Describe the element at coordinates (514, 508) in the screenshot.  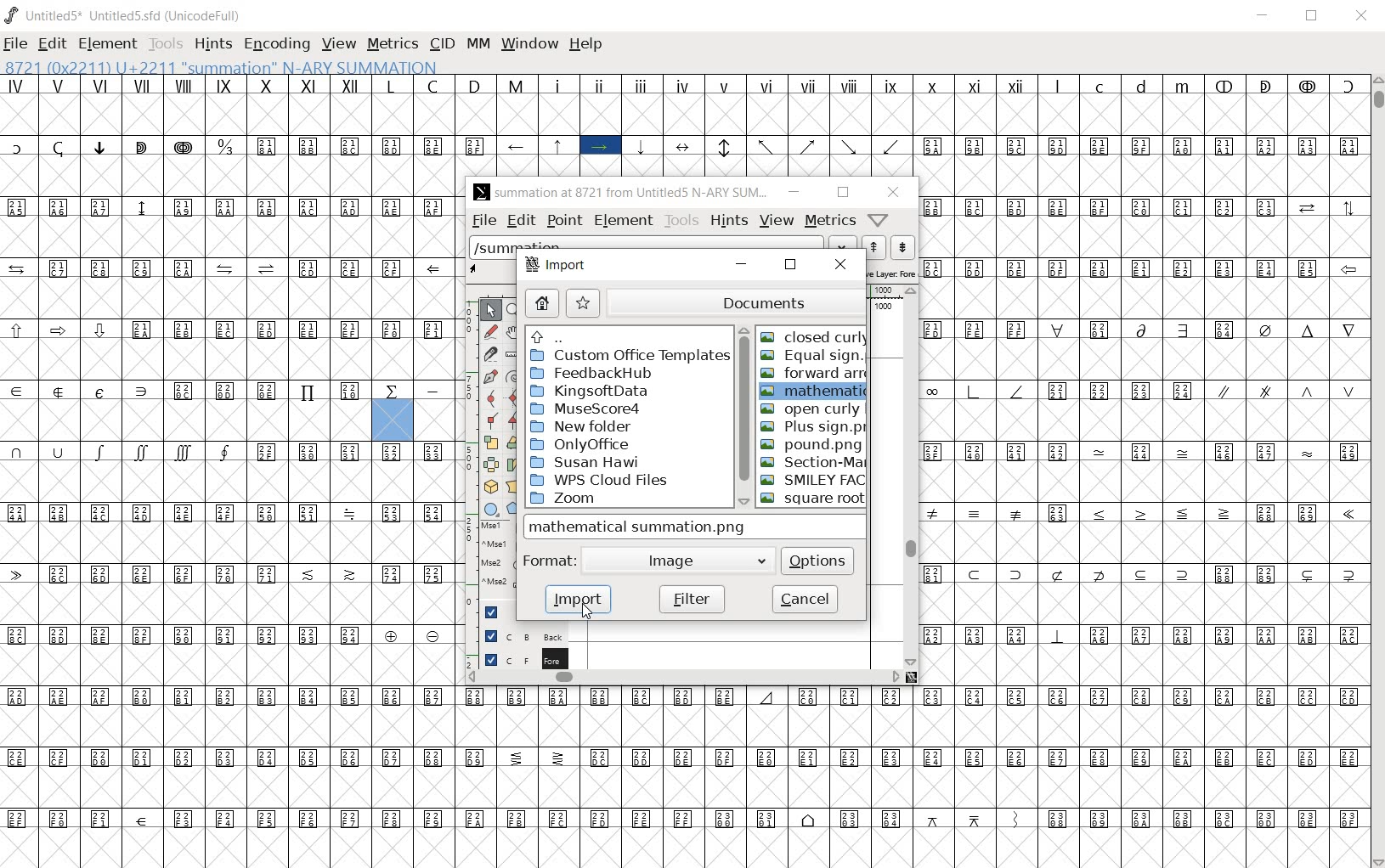
I see `polygon or star` at that location.